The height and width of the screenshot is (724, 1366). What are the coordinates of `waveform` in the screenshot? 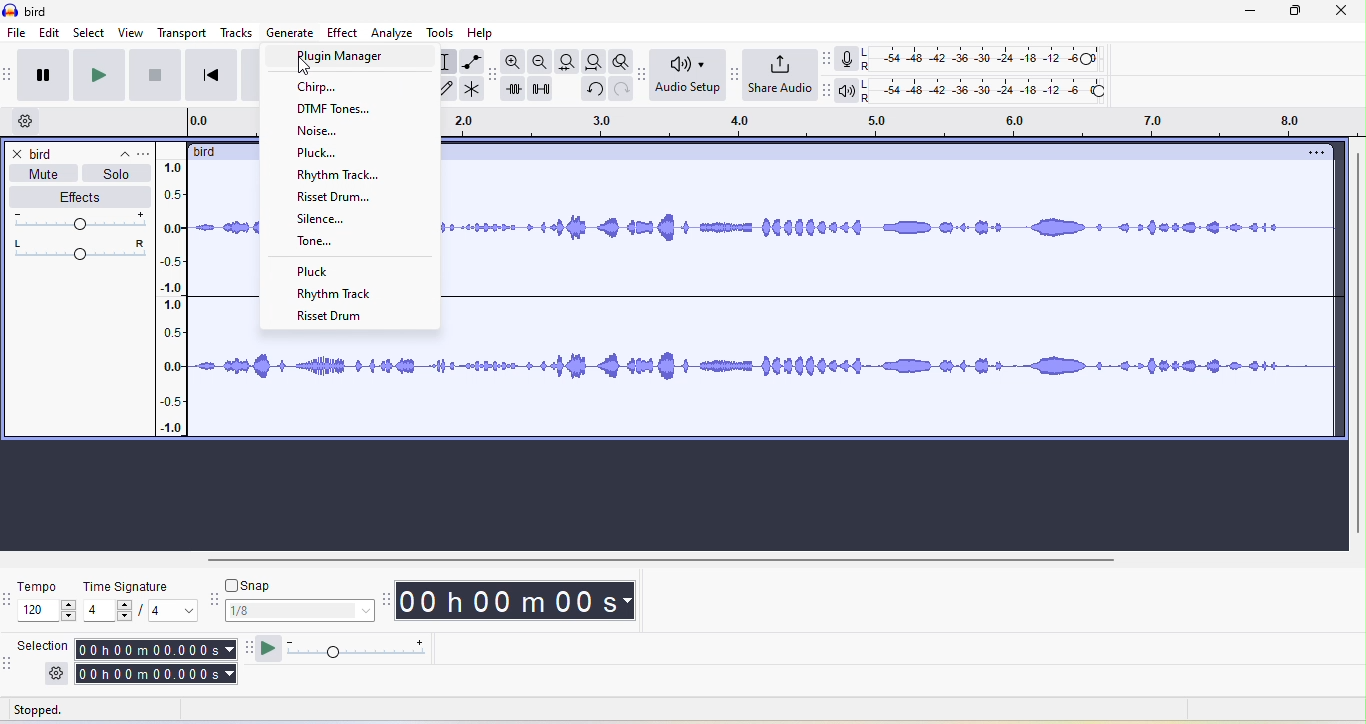 It's located at (229, 301).